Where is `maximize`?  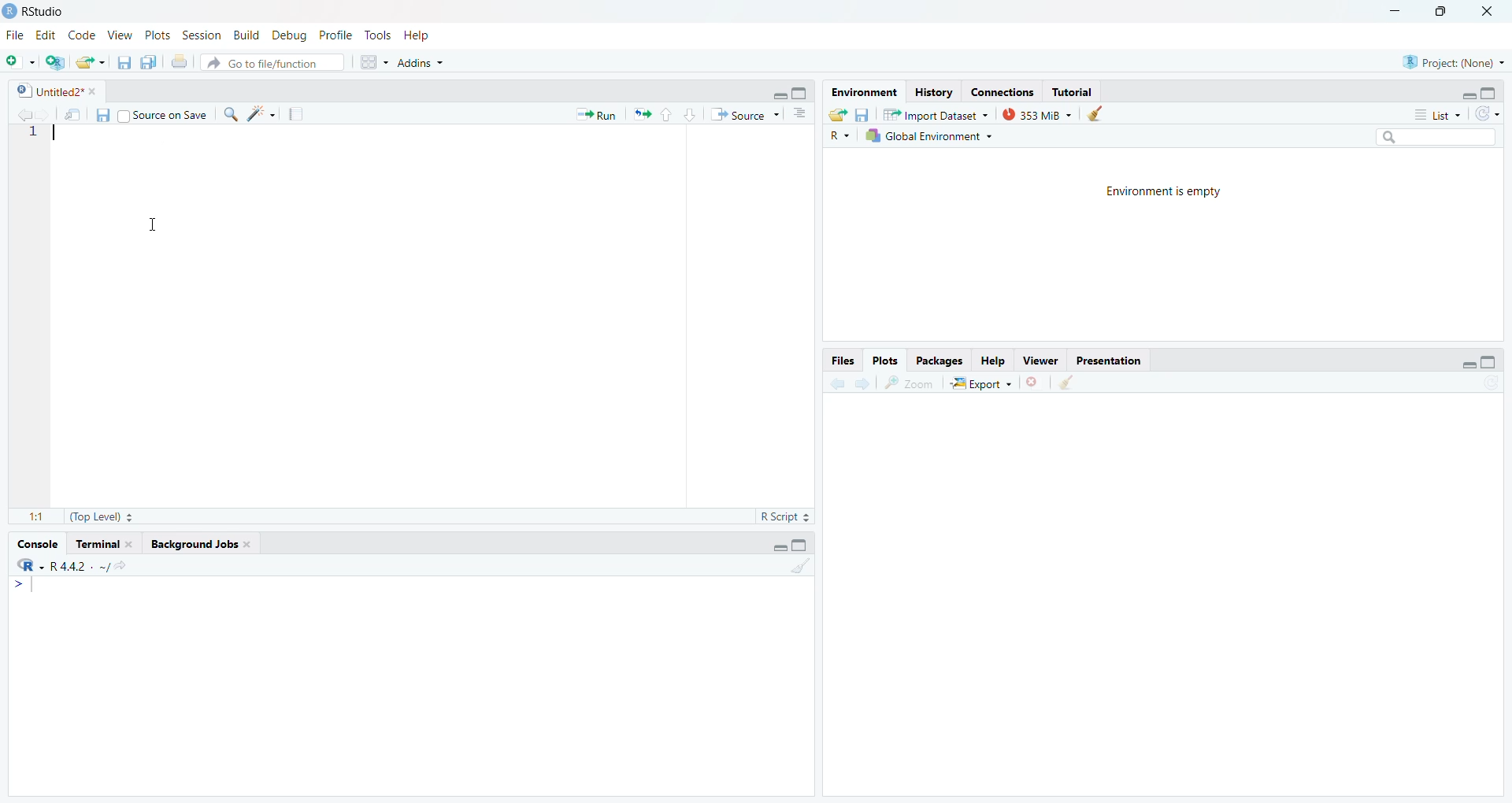
maximize is located at coordinates (1436, 11).